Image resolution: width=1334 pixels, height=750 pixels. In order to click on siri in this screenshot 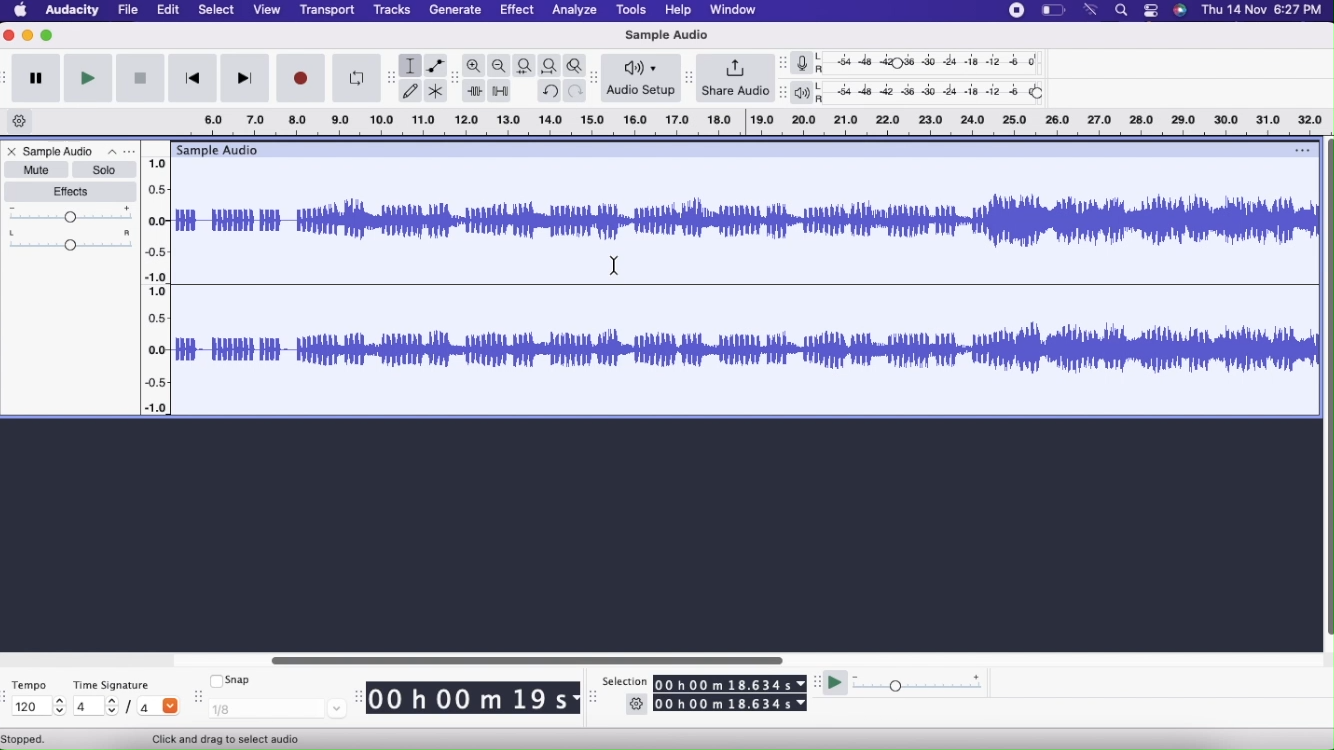, I will do `click(1183, 13)`.